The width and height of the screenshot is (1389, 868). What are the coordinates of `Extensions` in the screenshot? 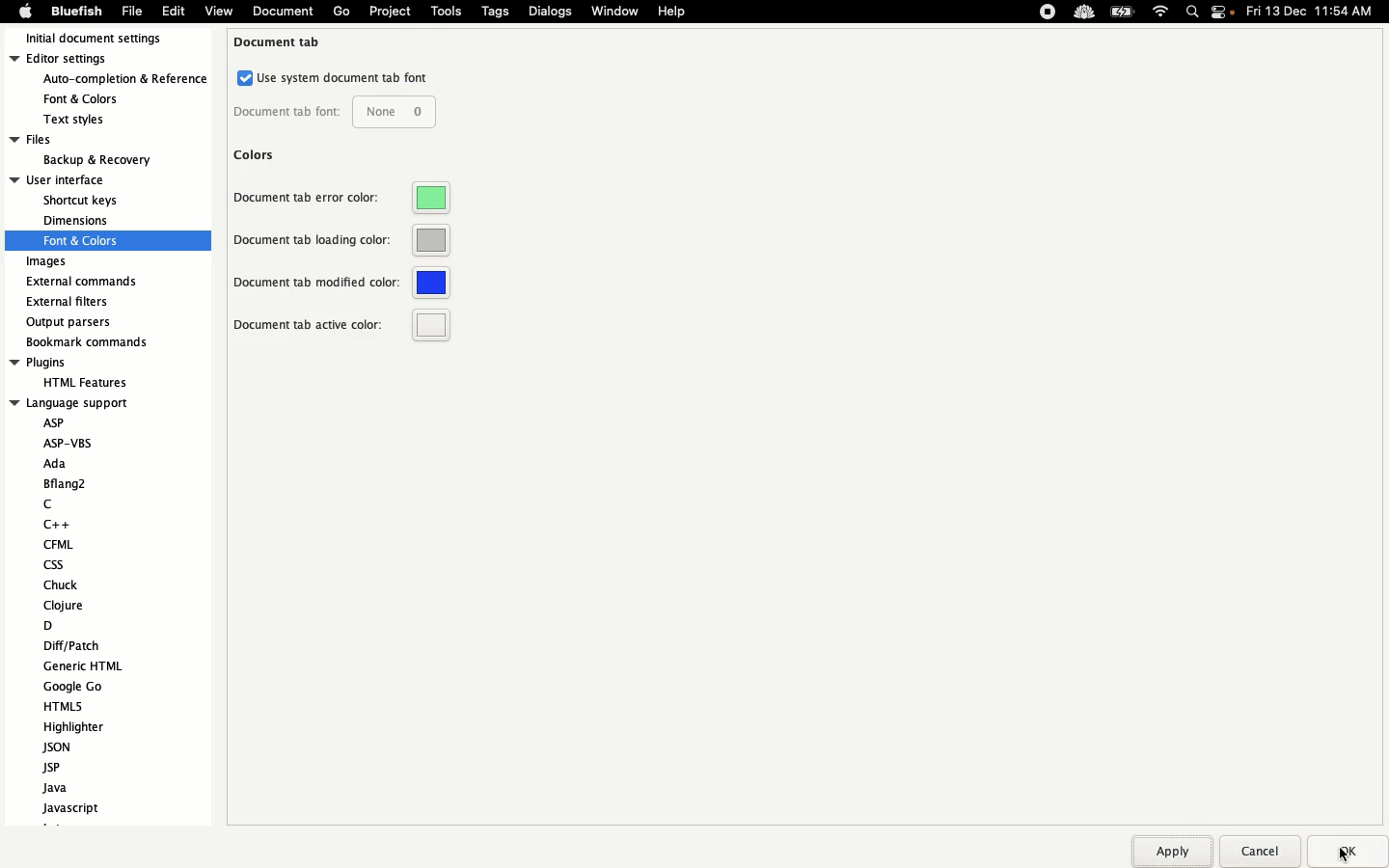 It's located at (1064, 12).